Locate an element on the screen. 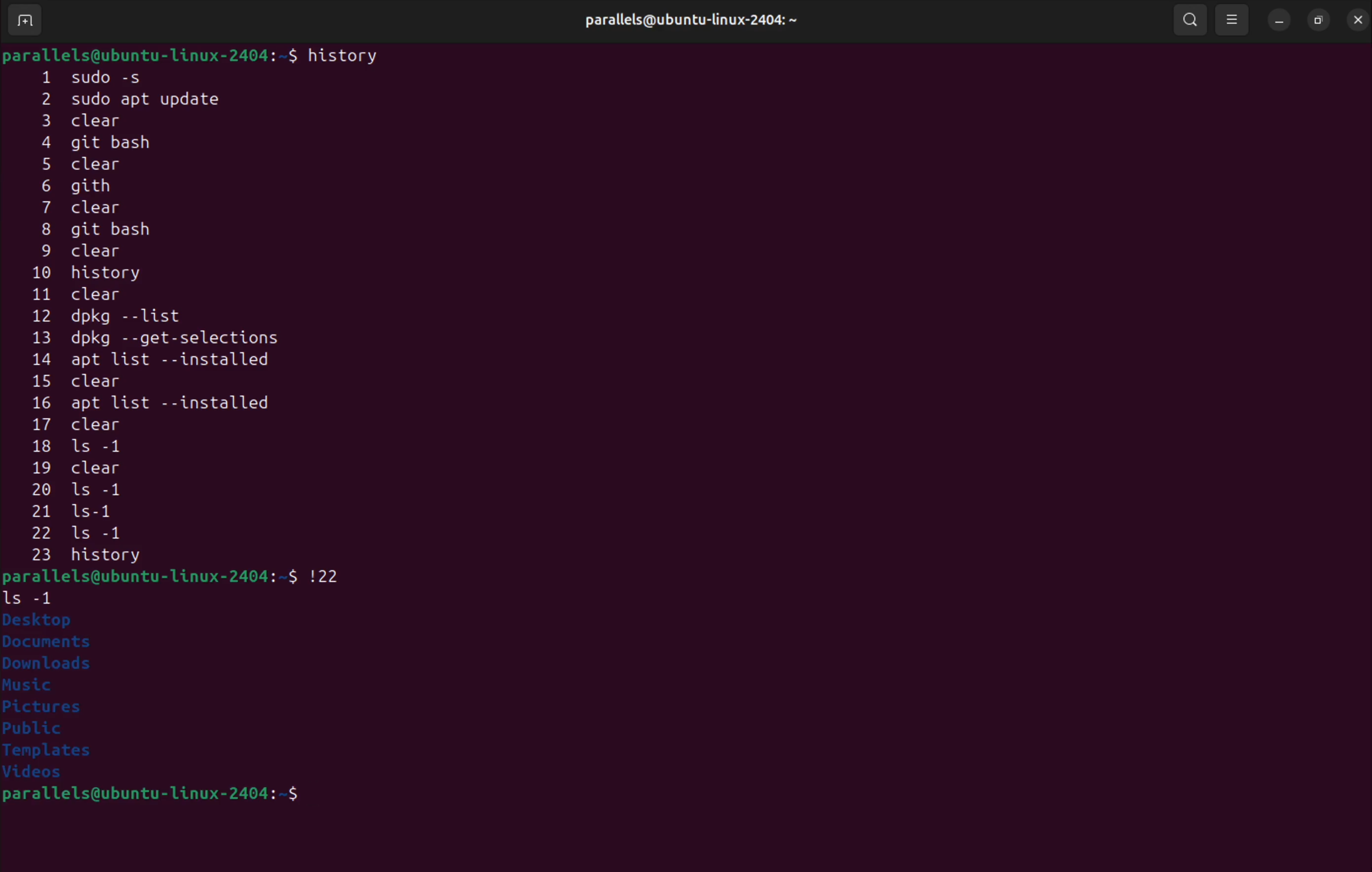 This screenshot has width=1372, height=872. 1o history is located at coordinates (108, 275).